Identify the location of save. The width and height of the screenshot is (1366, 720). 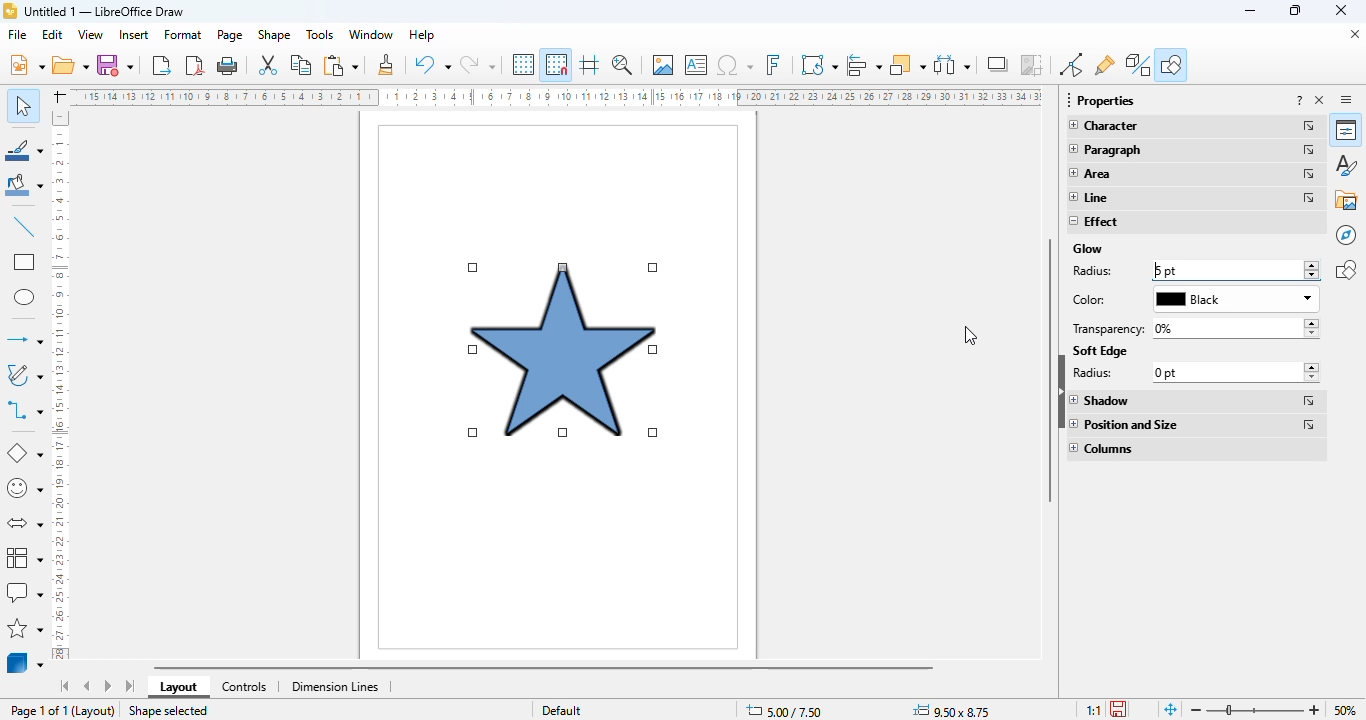
(115, 65).